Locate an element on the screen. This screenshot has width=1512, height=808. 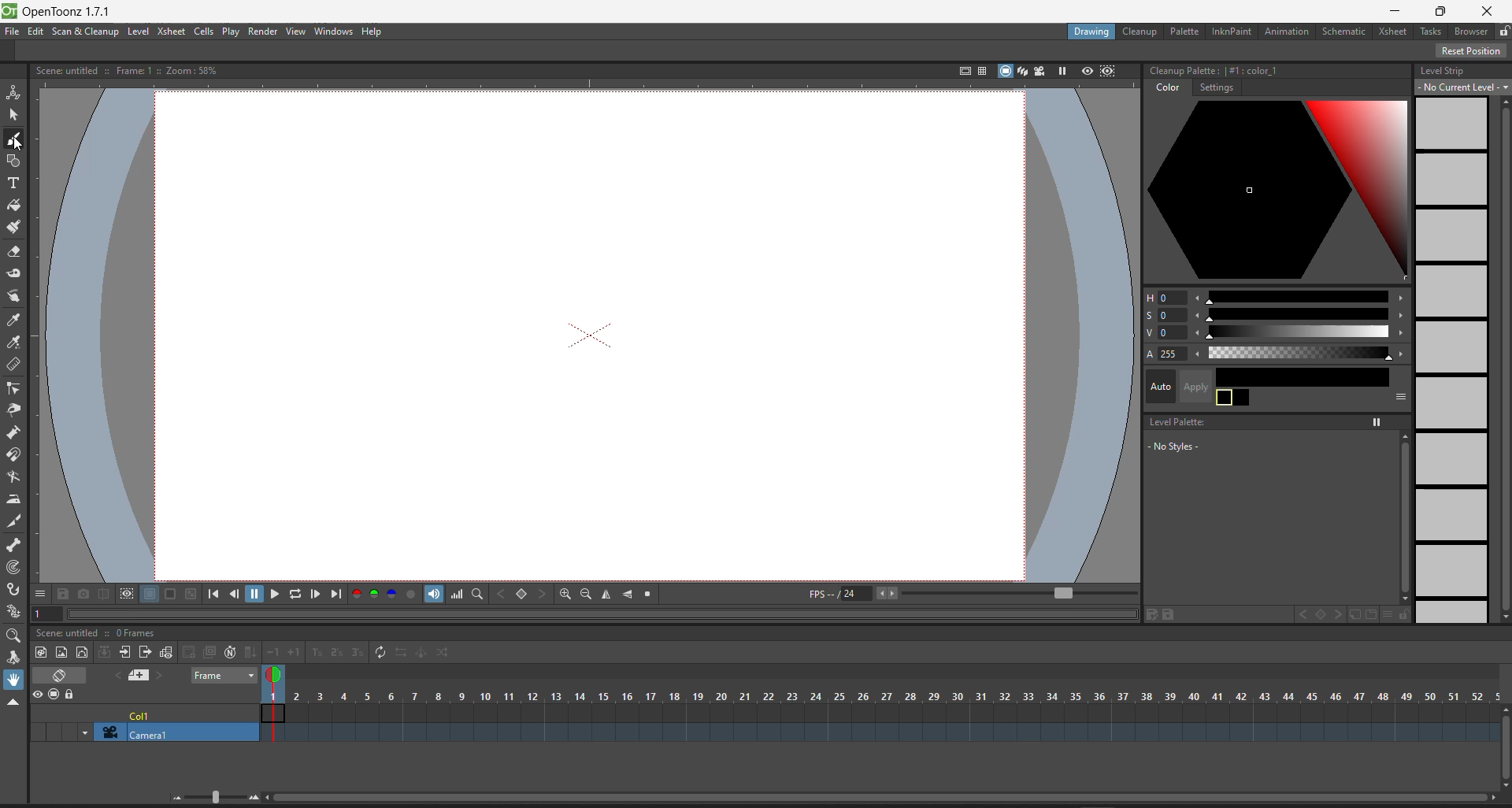
level is located at coordinates (140, 32).